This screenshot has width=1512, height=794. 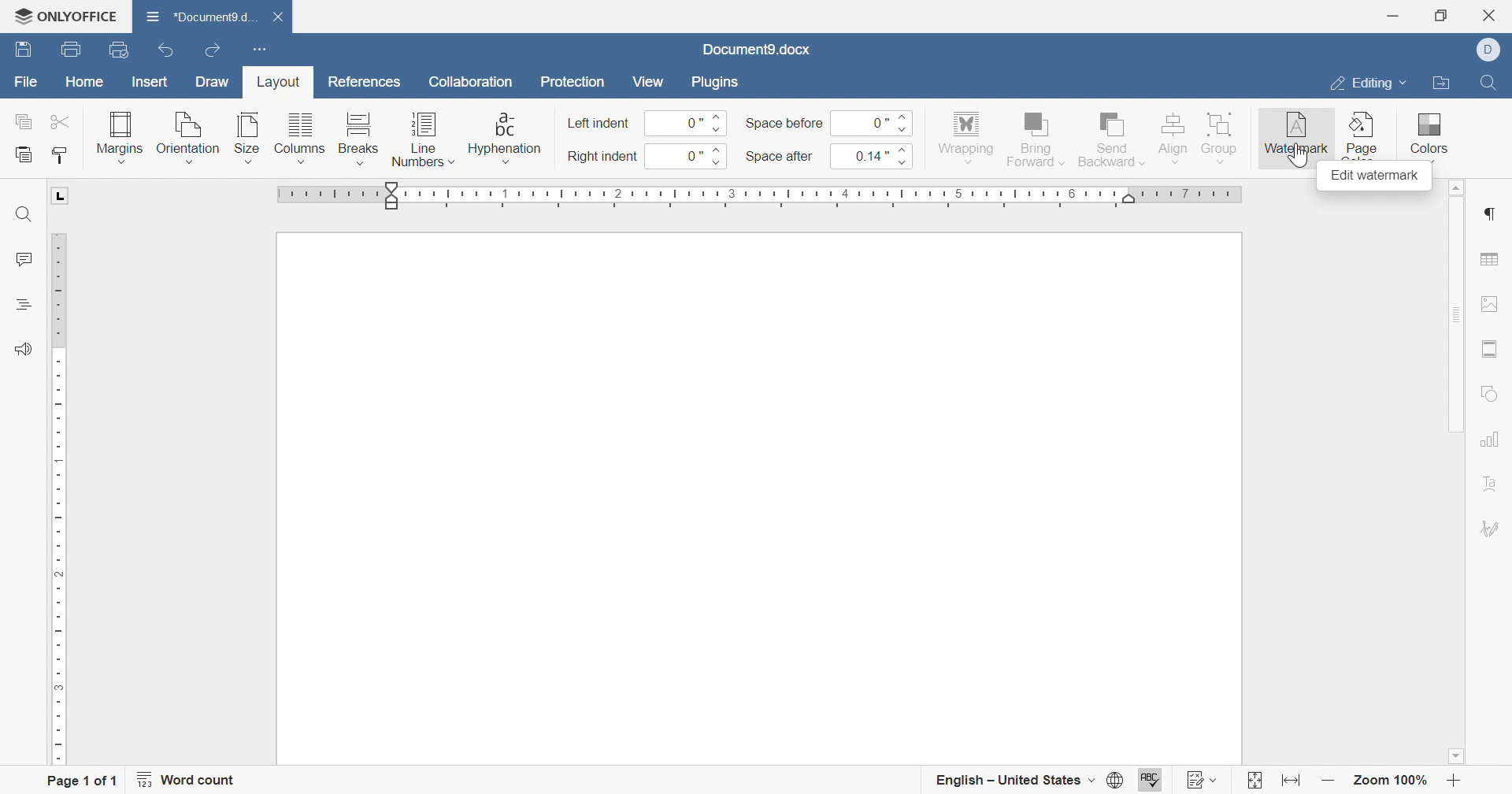 I want to click on bring forward, so click(x=1034, y=137).